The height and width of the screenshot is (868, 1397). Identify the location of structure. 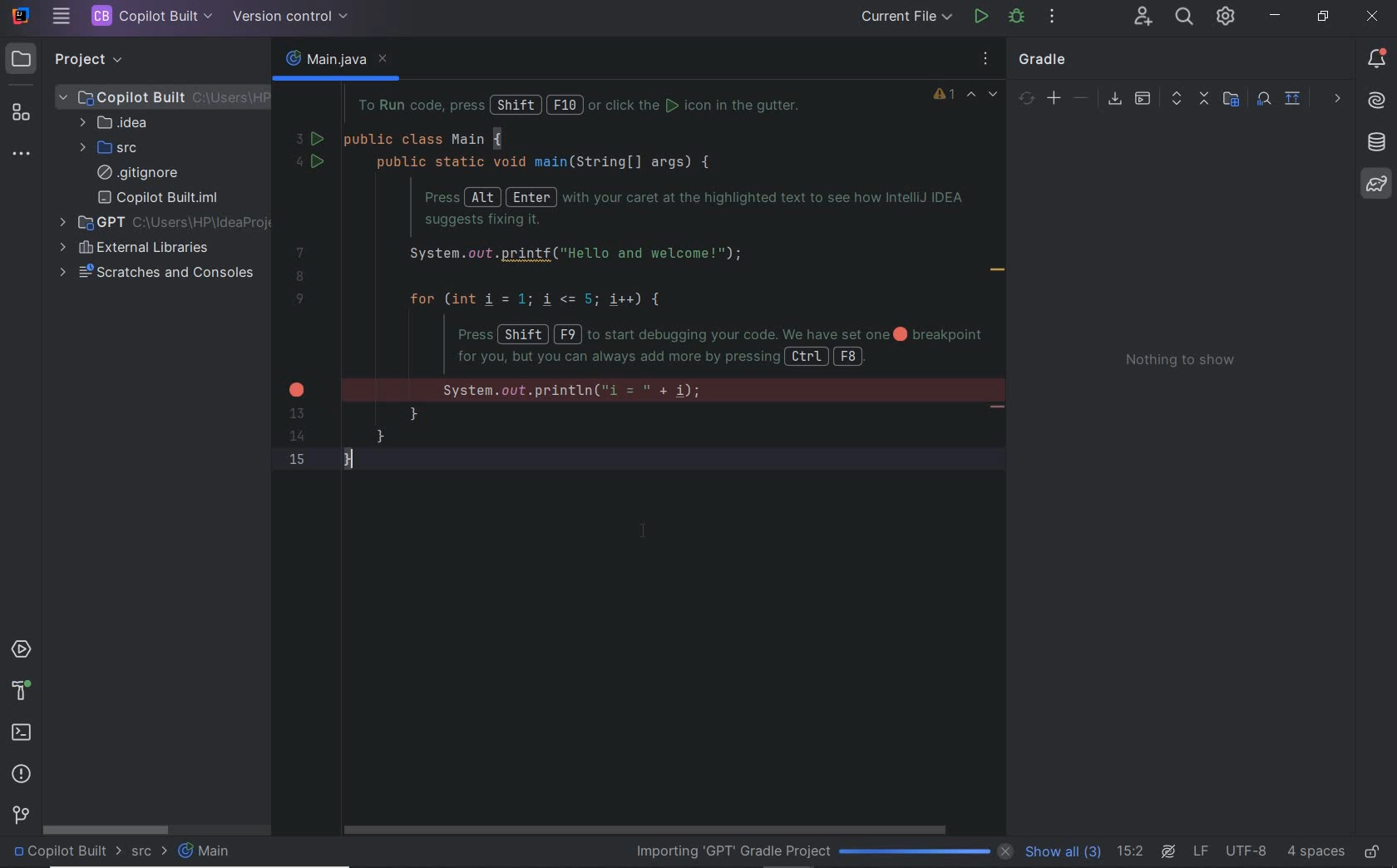
(23, 116).